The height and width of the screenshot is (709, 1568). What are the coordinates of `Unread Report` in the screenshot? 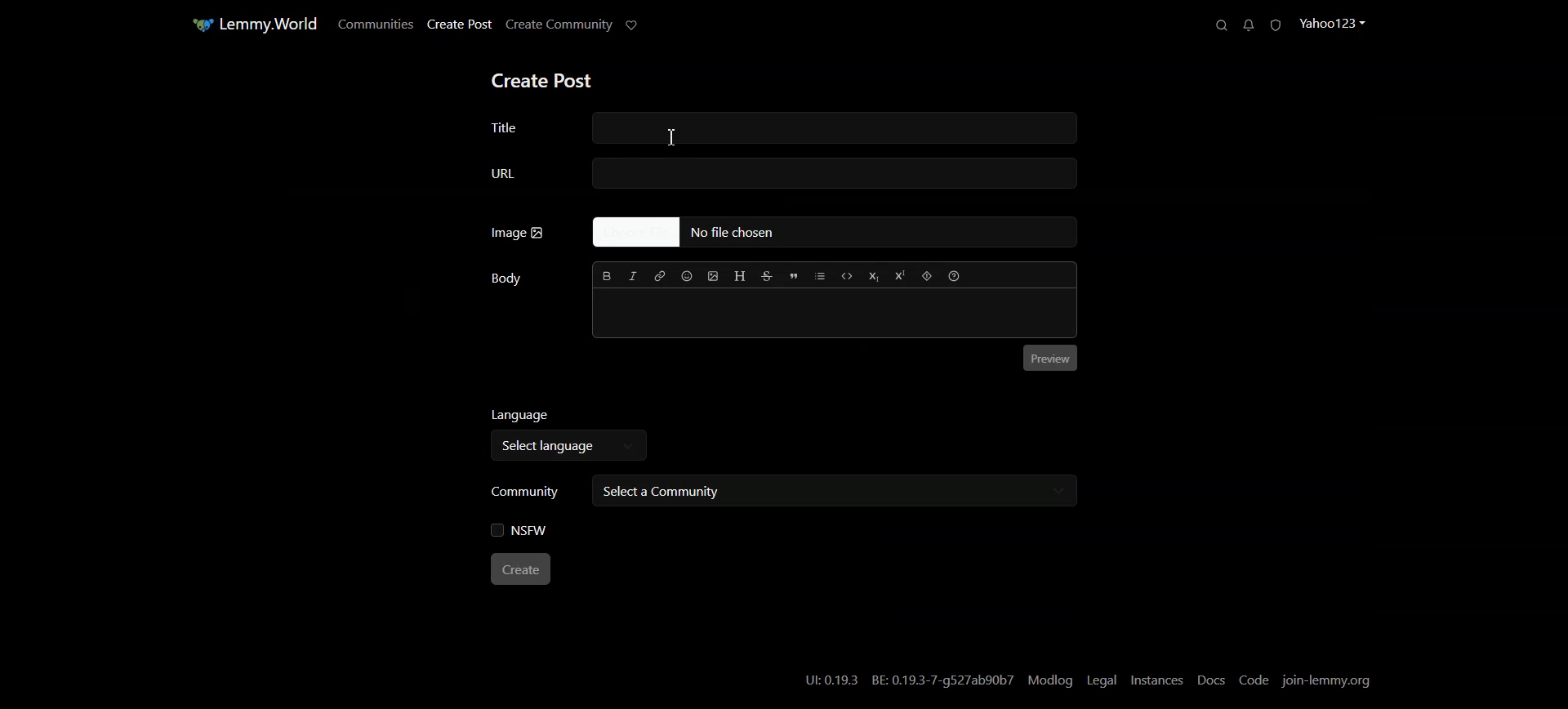 It's located at (1280, 25).